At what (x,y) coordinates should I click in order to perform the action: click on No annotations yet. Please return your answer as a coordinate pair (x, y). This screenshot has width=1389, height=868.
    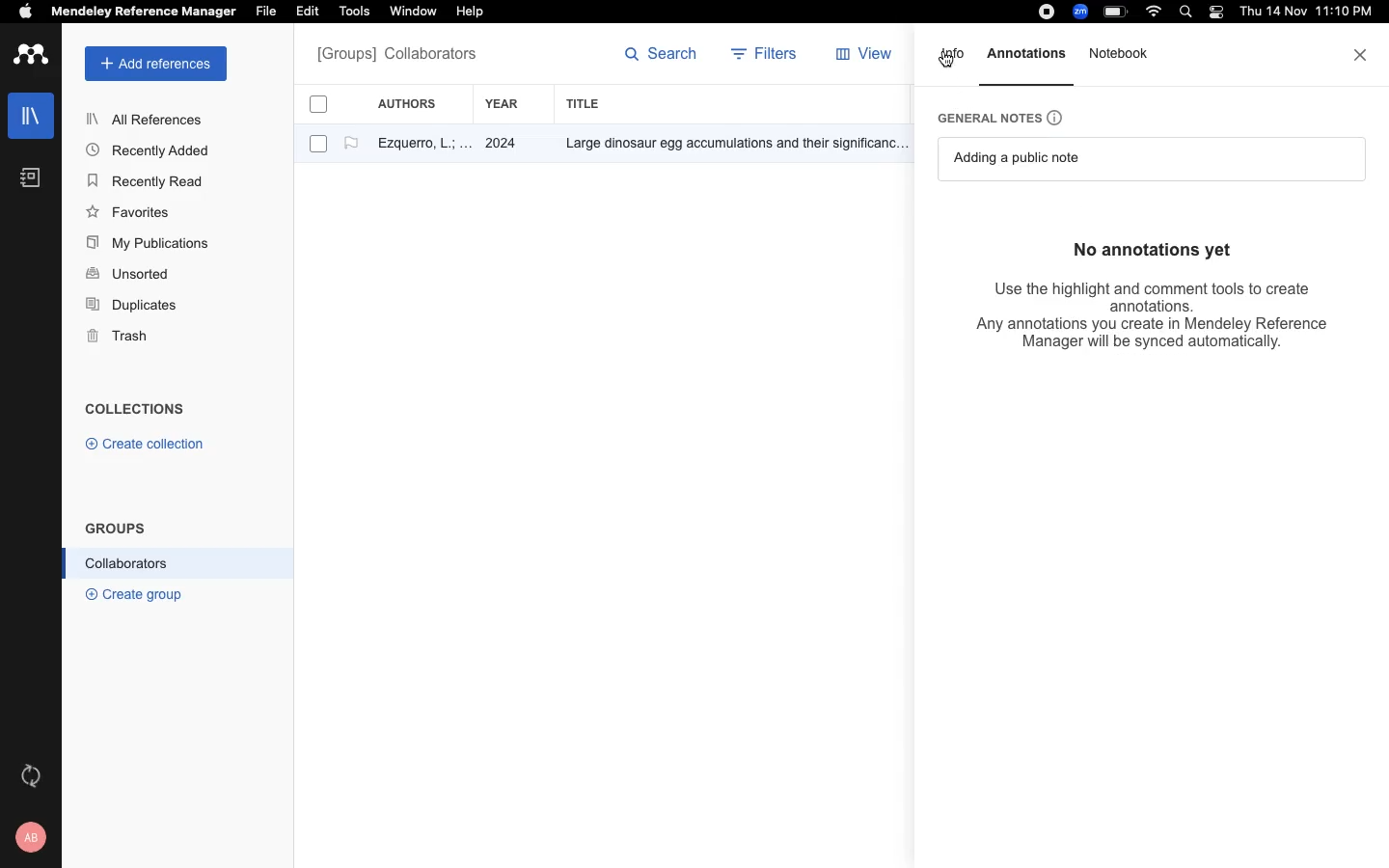
    Looking at the image, I should click on (1163, 249).